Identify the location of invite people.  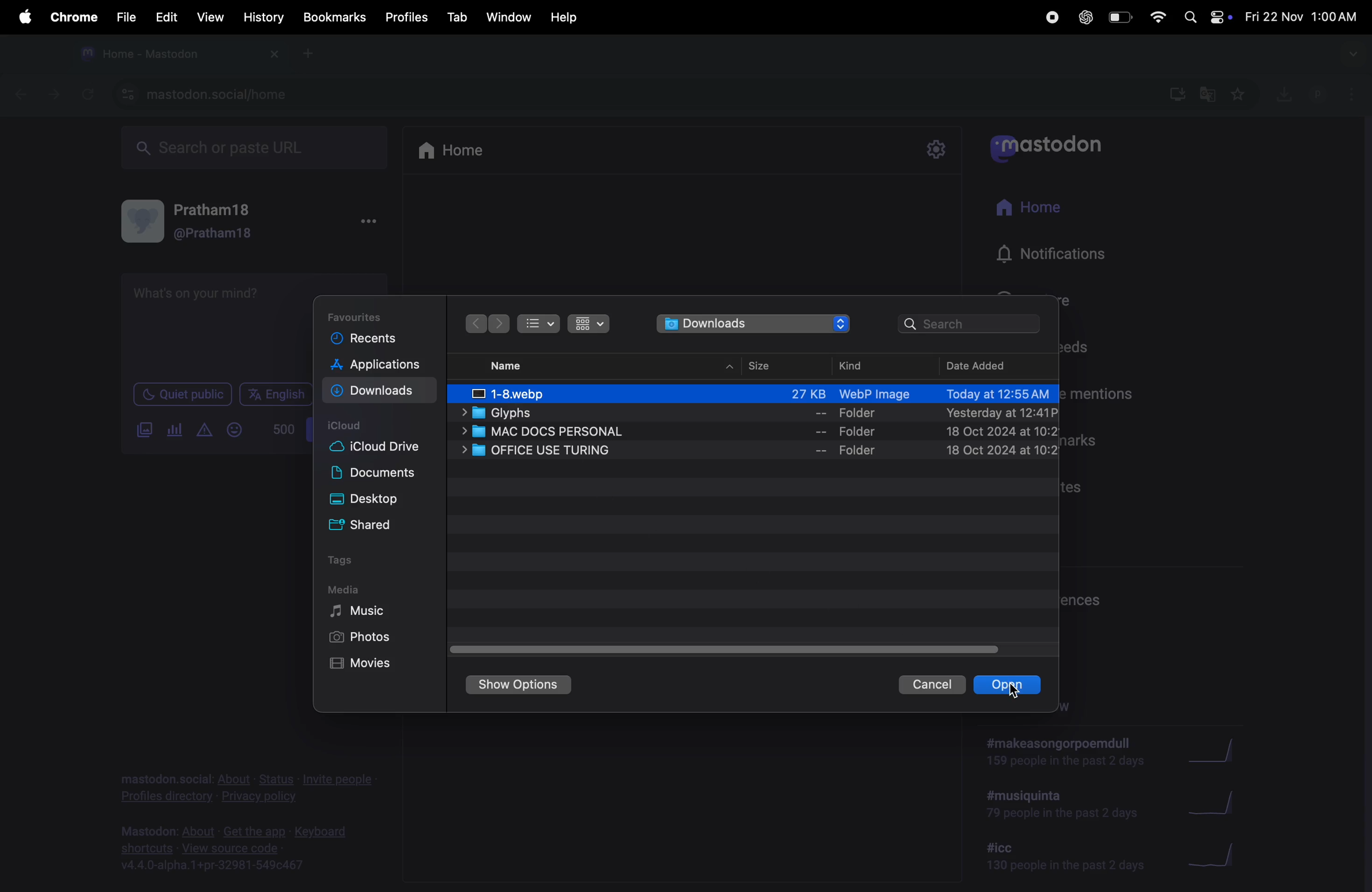
(337, 780).